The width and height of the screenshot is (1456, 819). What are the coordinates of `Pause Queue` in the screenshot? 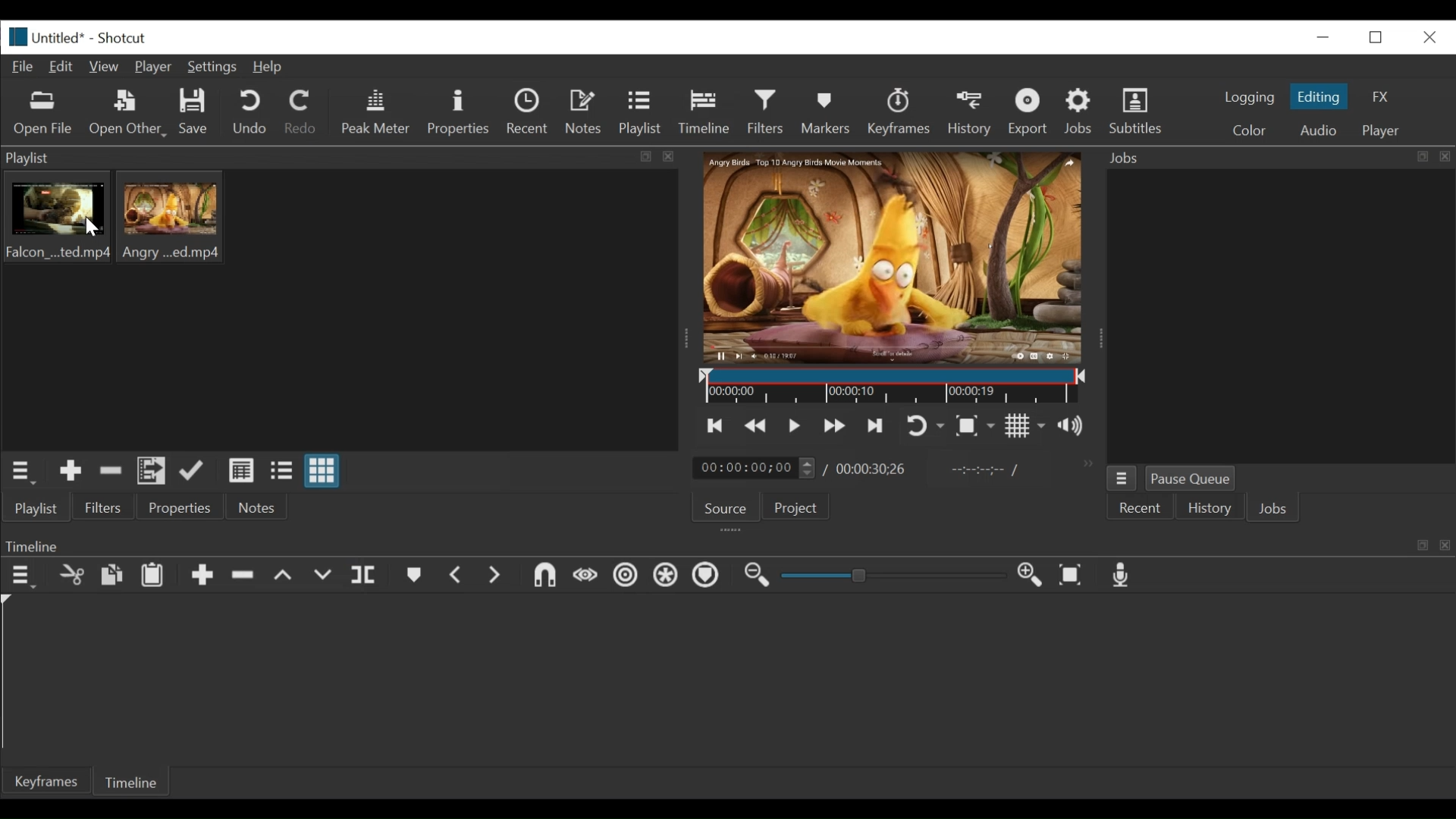 It's located at (1191, 482).